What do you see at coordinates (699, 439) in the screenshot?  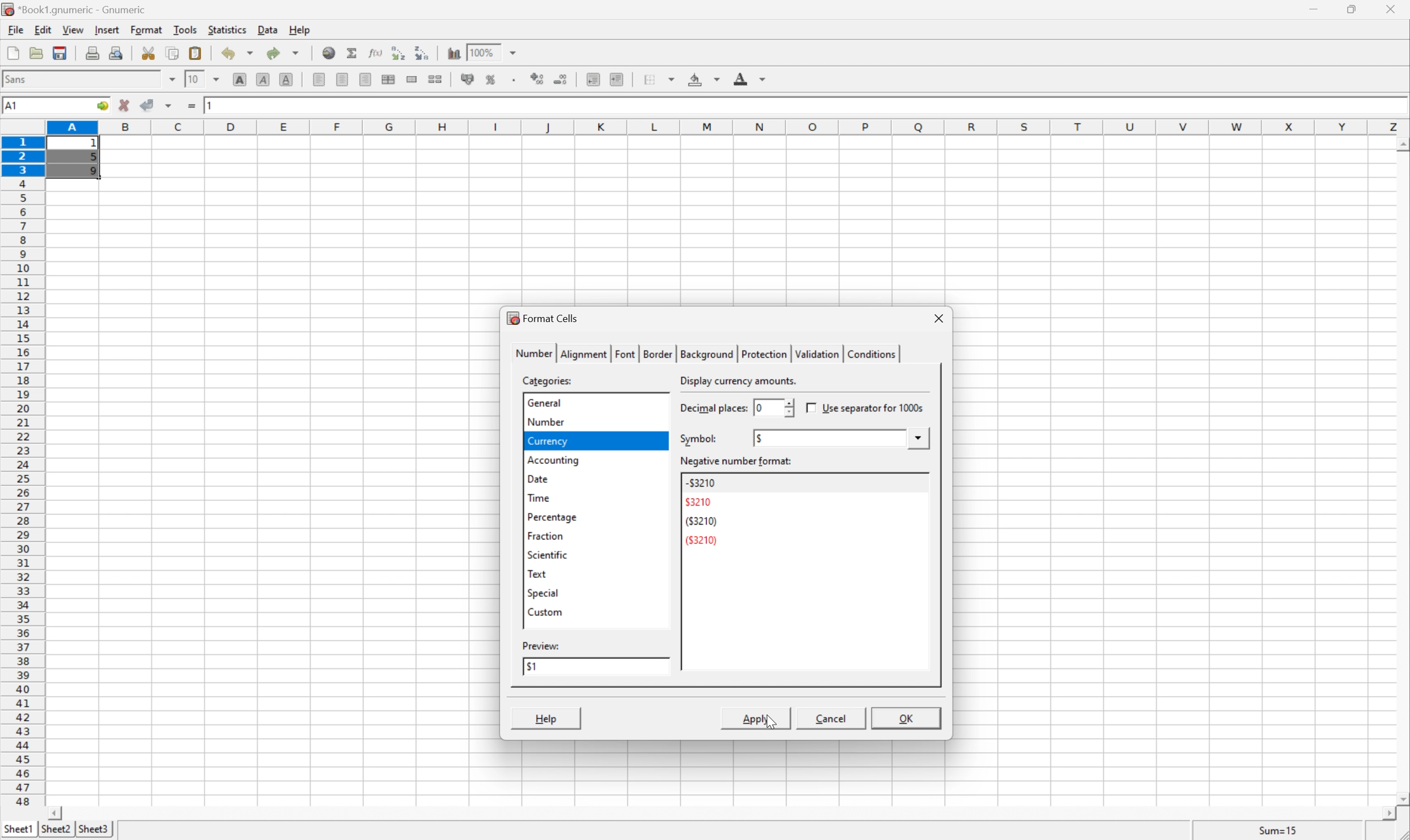 I see `symbol:` at bounding box center [699, 439].